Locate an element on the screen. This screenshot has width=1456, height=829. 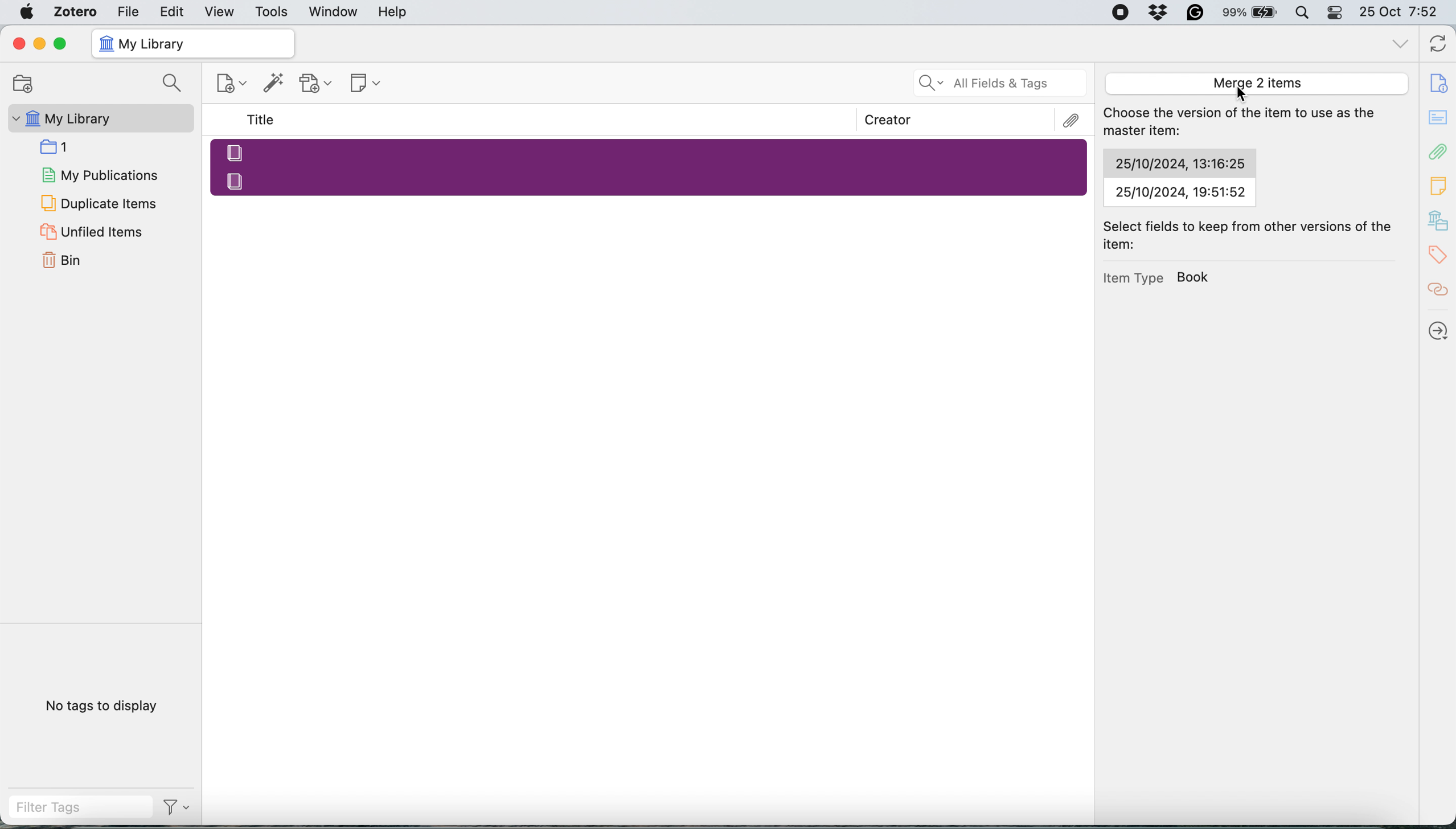
Notes is located at coordinates (1439, 183).